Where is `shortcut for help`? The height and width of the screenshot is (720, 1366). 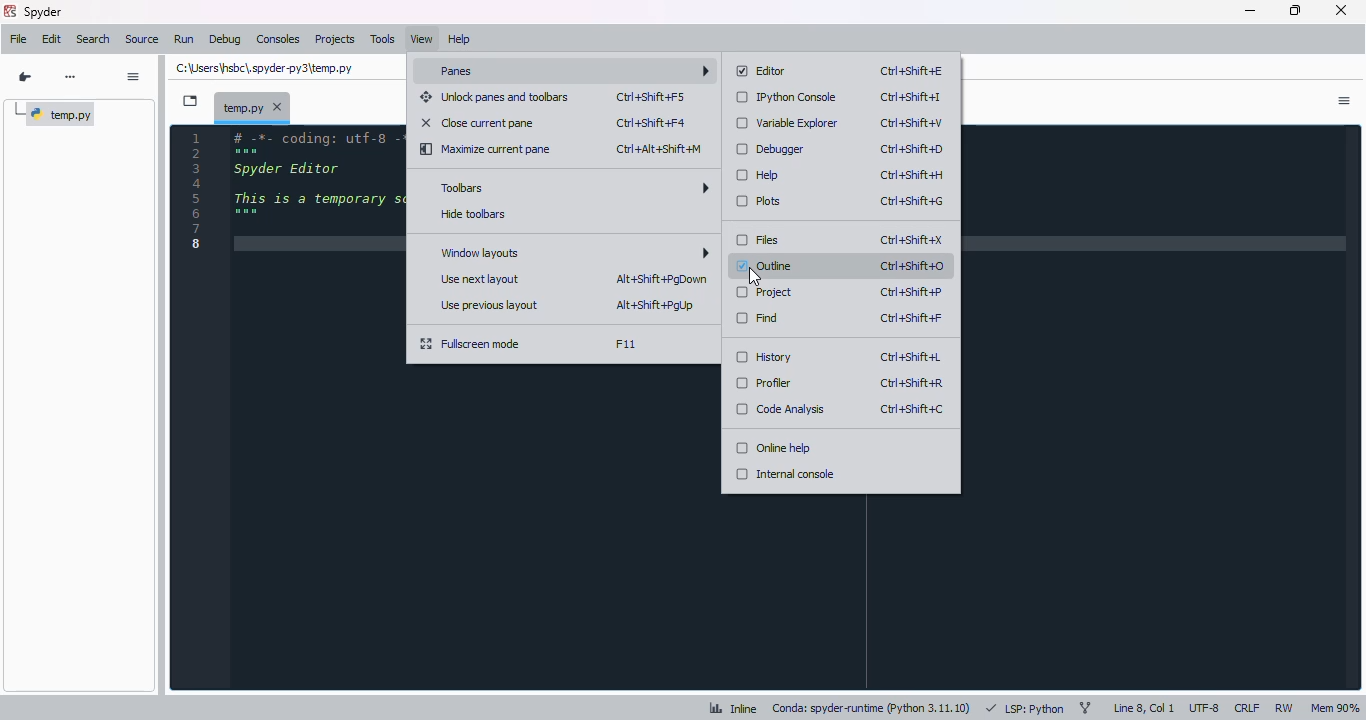
shortcut for help is located at coordinates (912, 175).